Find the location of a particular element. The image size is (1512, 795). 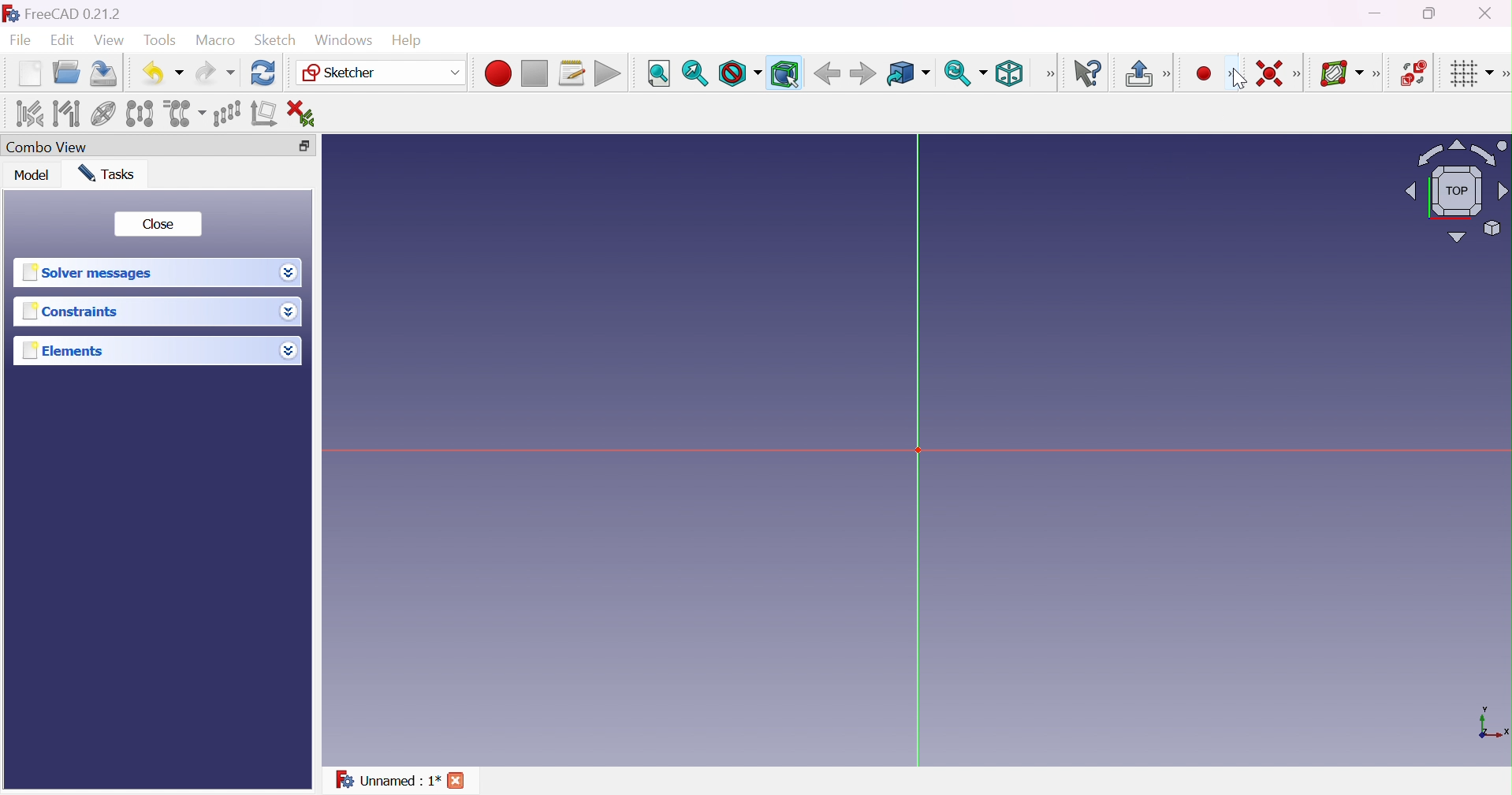

Show/hide internal geometry is located at coordinates (102, 114).